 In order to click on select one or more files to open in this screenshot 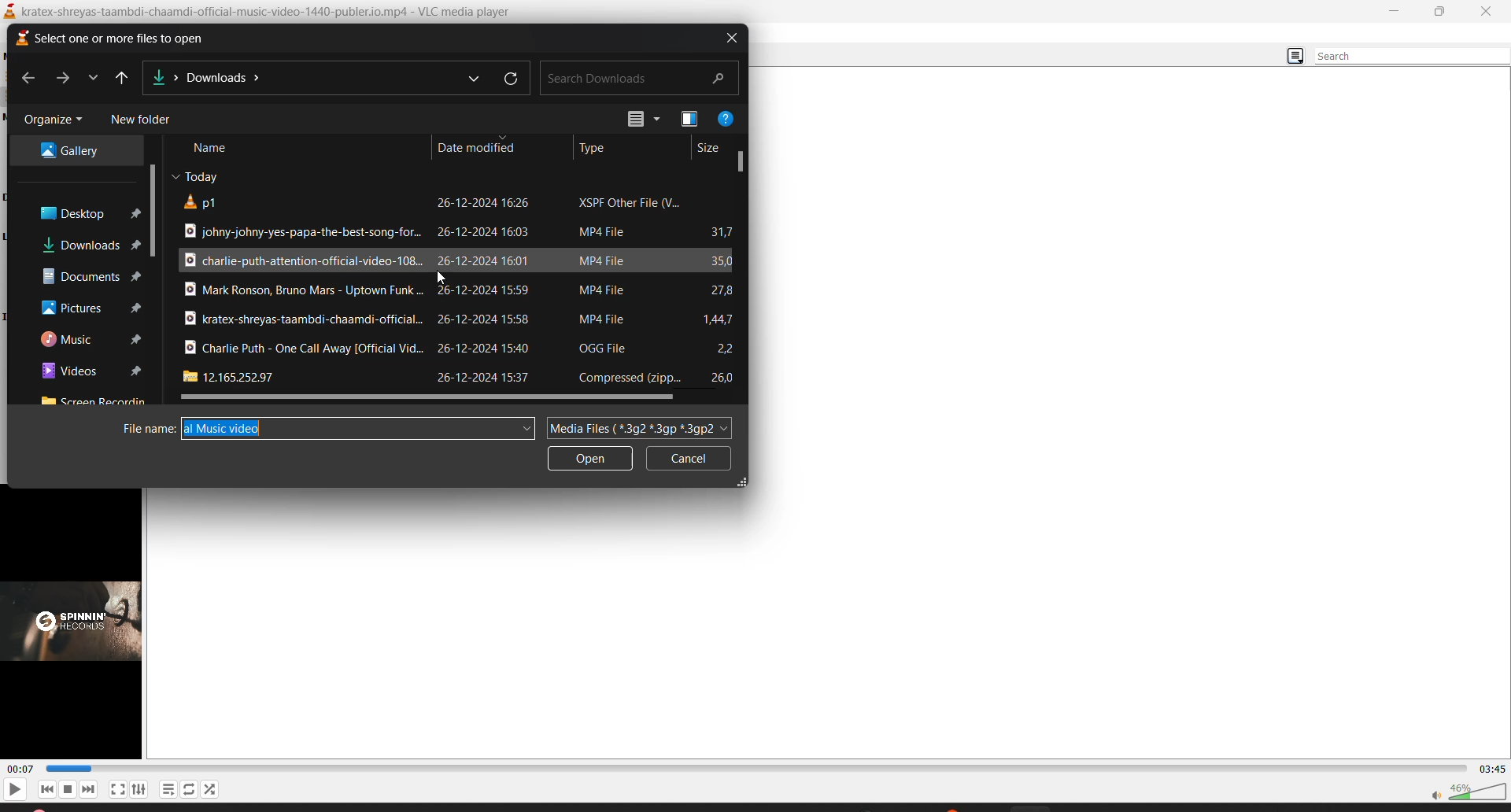, I will do `click(113, 36)`.